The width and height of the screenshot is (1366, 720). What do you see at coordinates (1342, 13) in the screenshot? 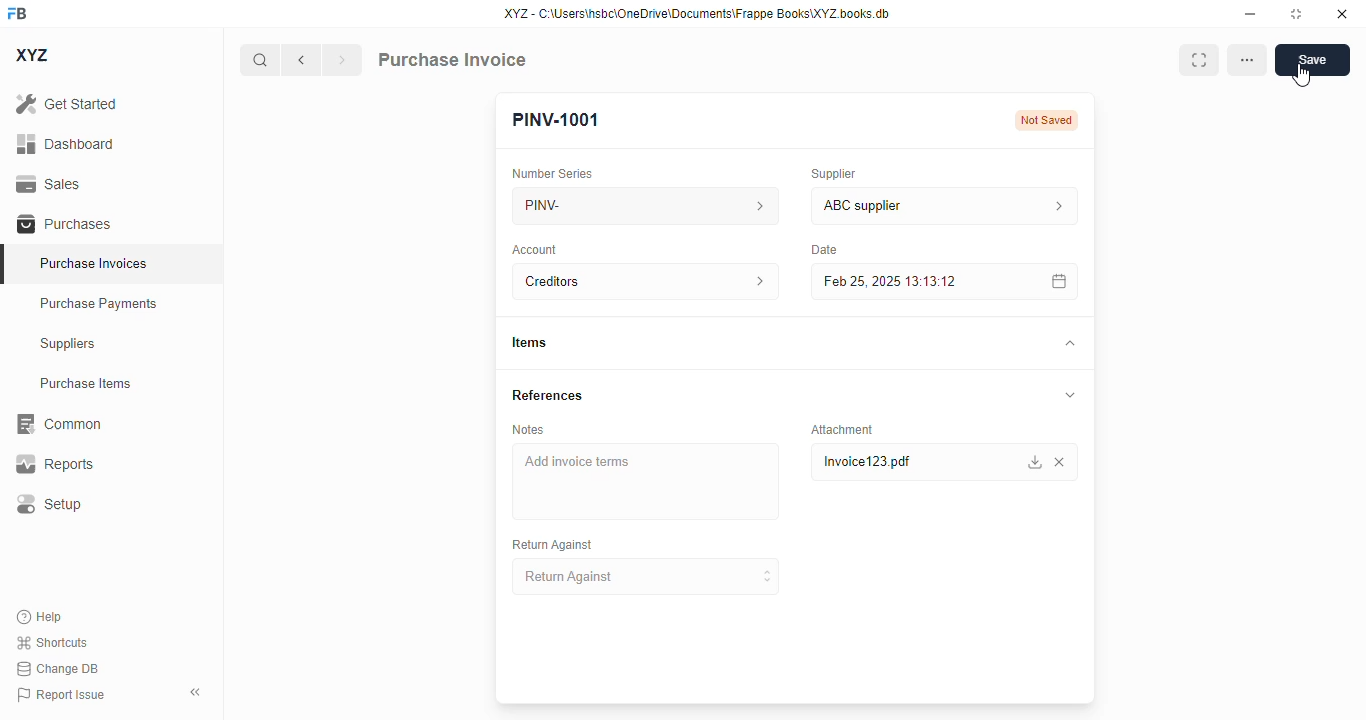
I see `close` at bounding box center [1342, 13].